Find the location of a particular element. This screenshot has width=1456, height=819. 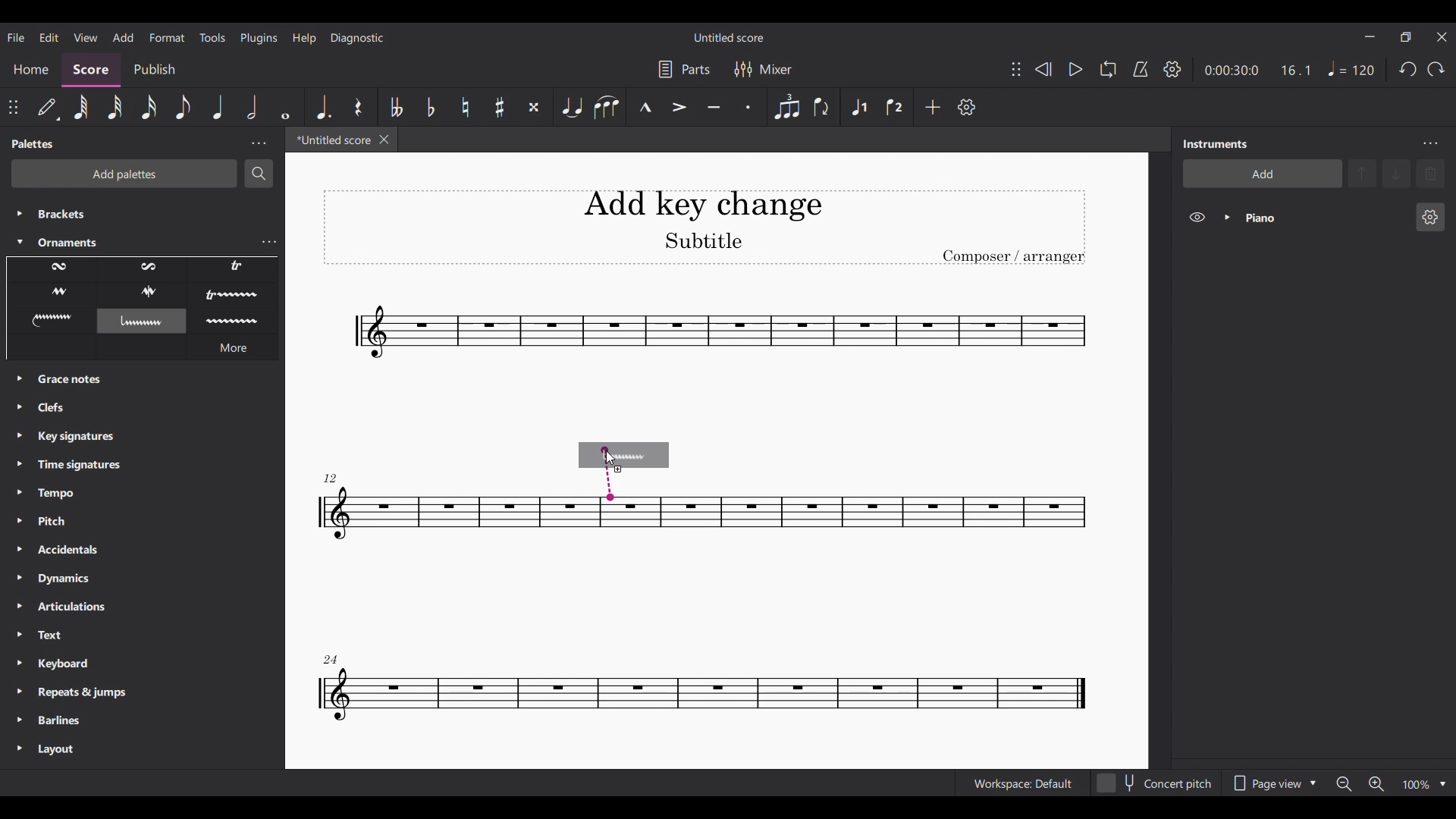

Workspace: default is located at coordinates (1023, 783).